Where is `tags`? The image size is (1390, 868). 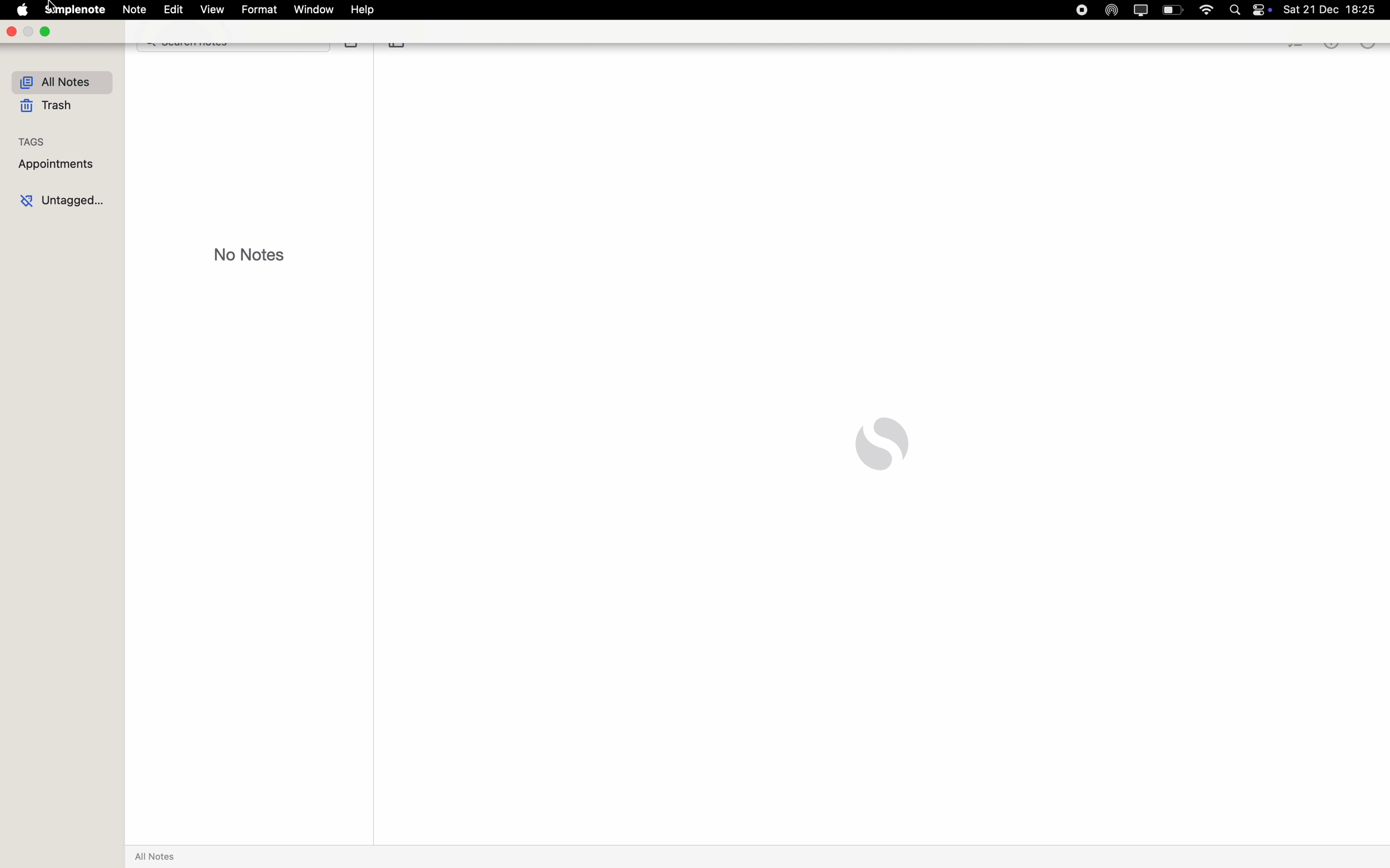 tags is located at coordinates (31, 142).